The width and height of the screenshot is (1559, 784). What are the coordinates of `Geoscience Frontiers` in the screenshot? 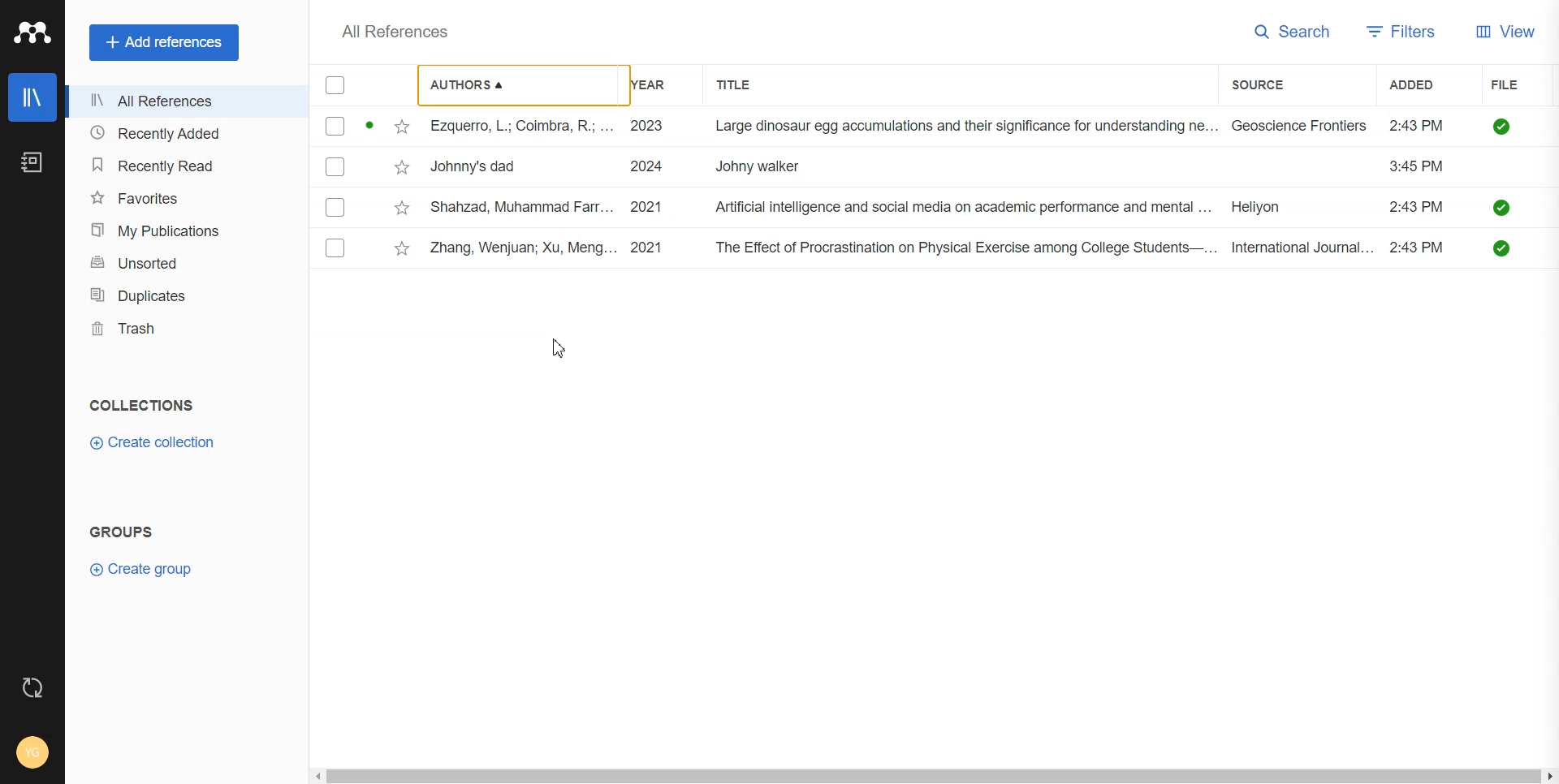 It's located at (1302, 125).